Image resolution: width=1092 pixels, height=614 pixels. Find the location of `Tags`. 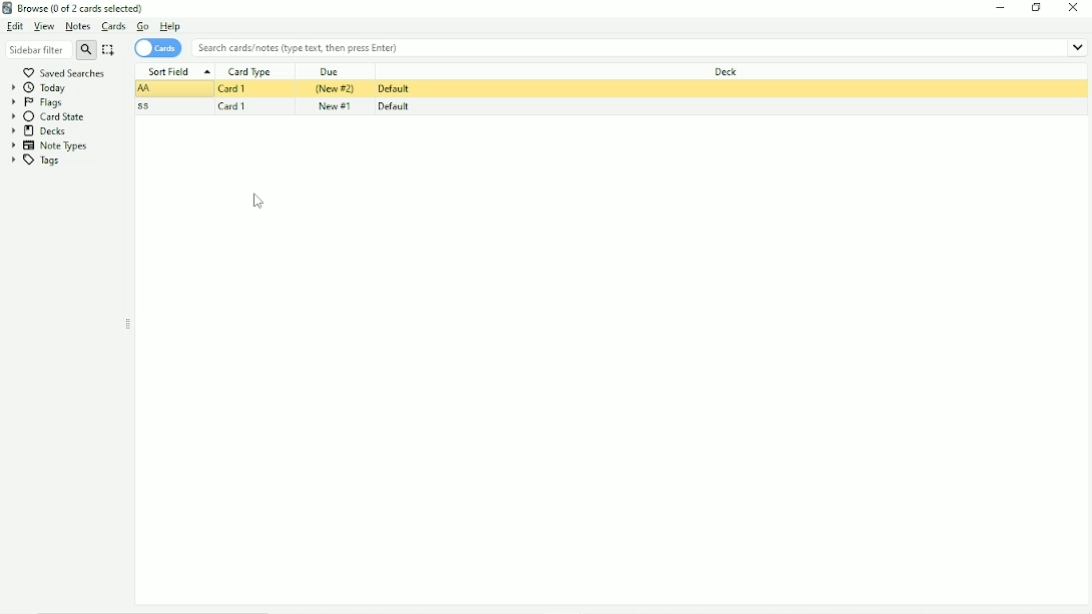

Tags is located at coordinates (36, 160).